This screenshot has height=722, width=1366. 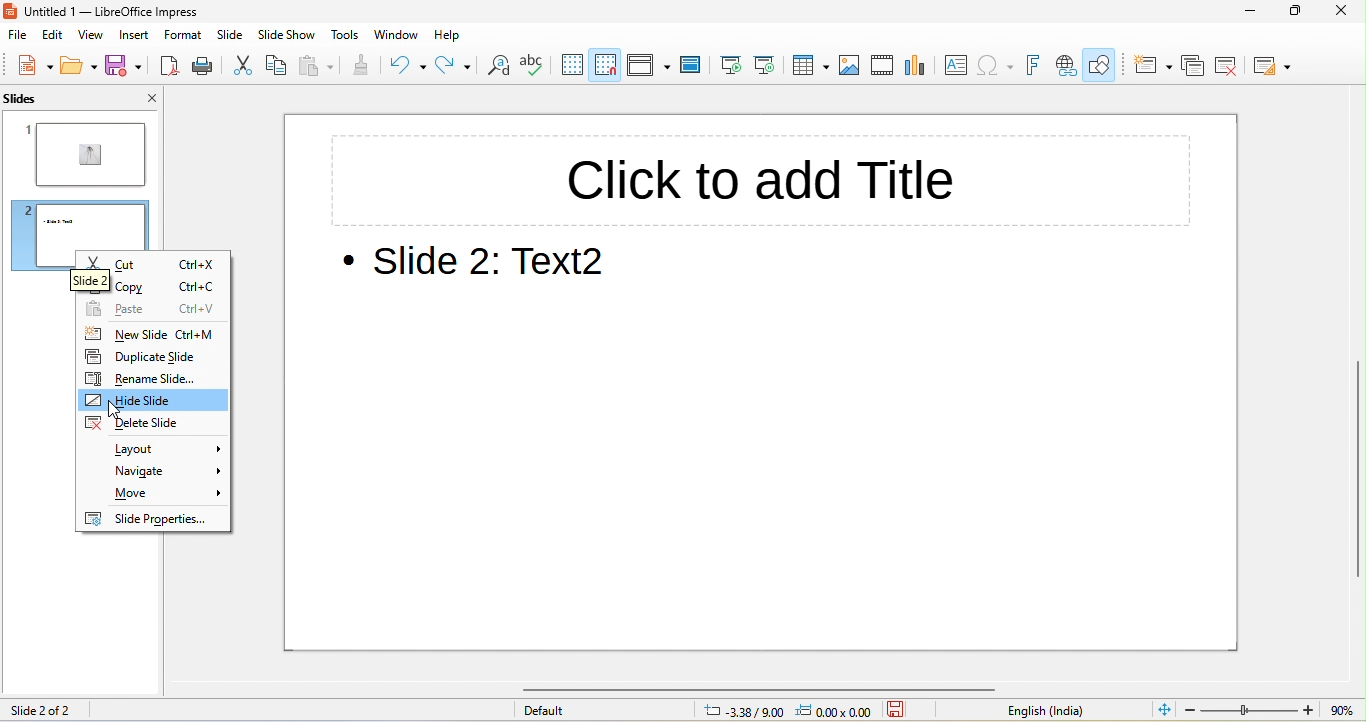 I want to click on new slide, so click(x=1150, y=64).